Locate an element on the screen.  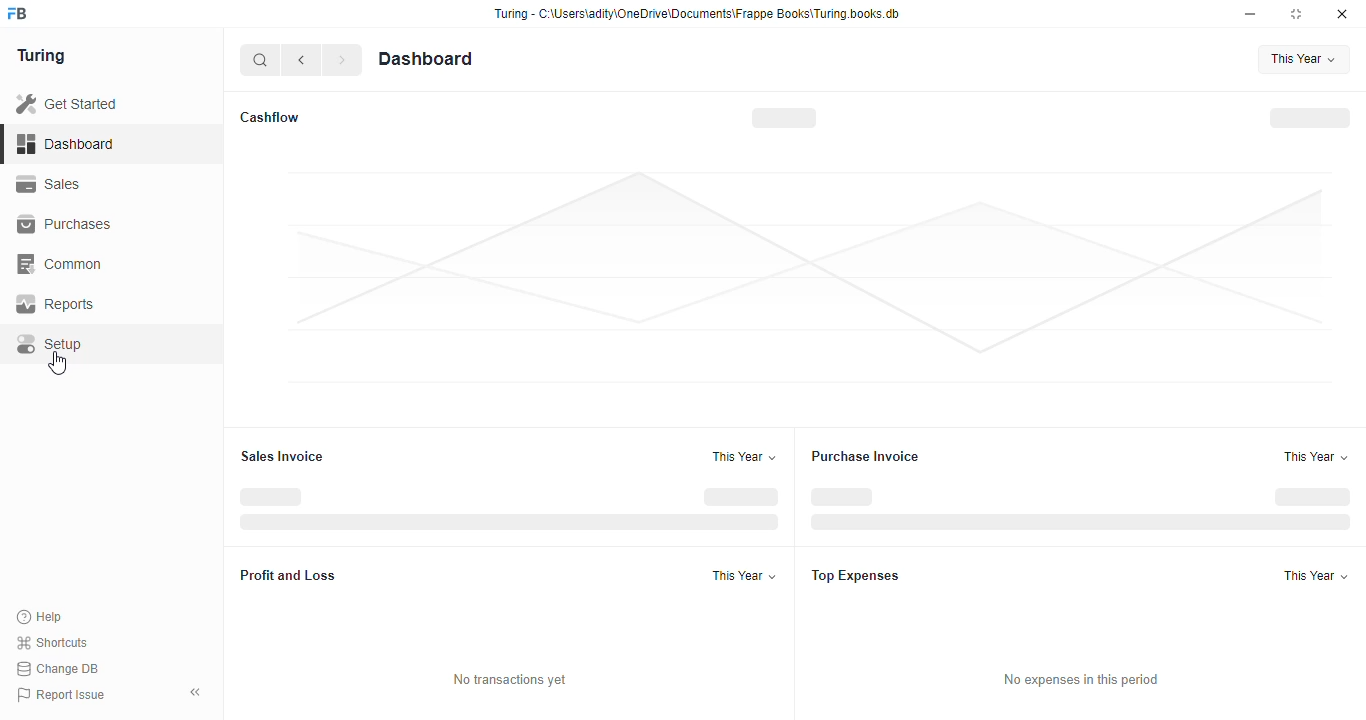
No transactions yet is located at coordinates (515, 681).